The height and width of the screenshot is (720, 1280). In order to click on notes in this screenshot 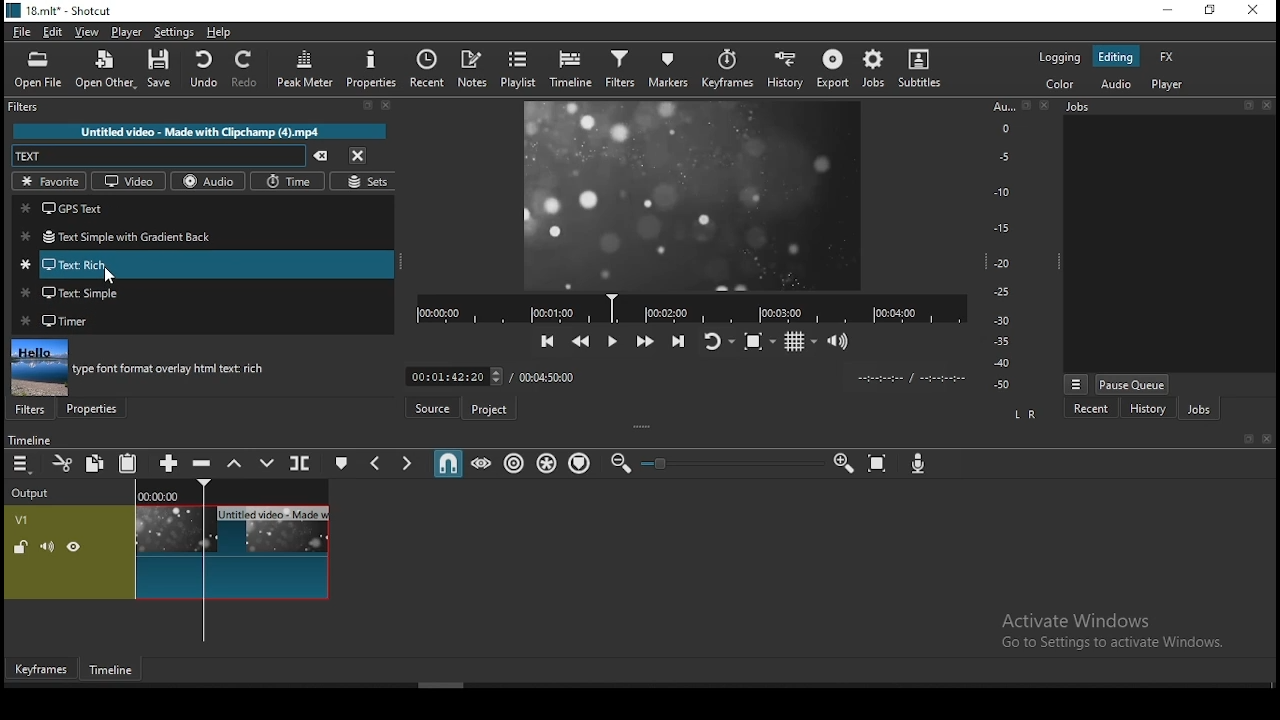, I will do `click(473, 70)`.